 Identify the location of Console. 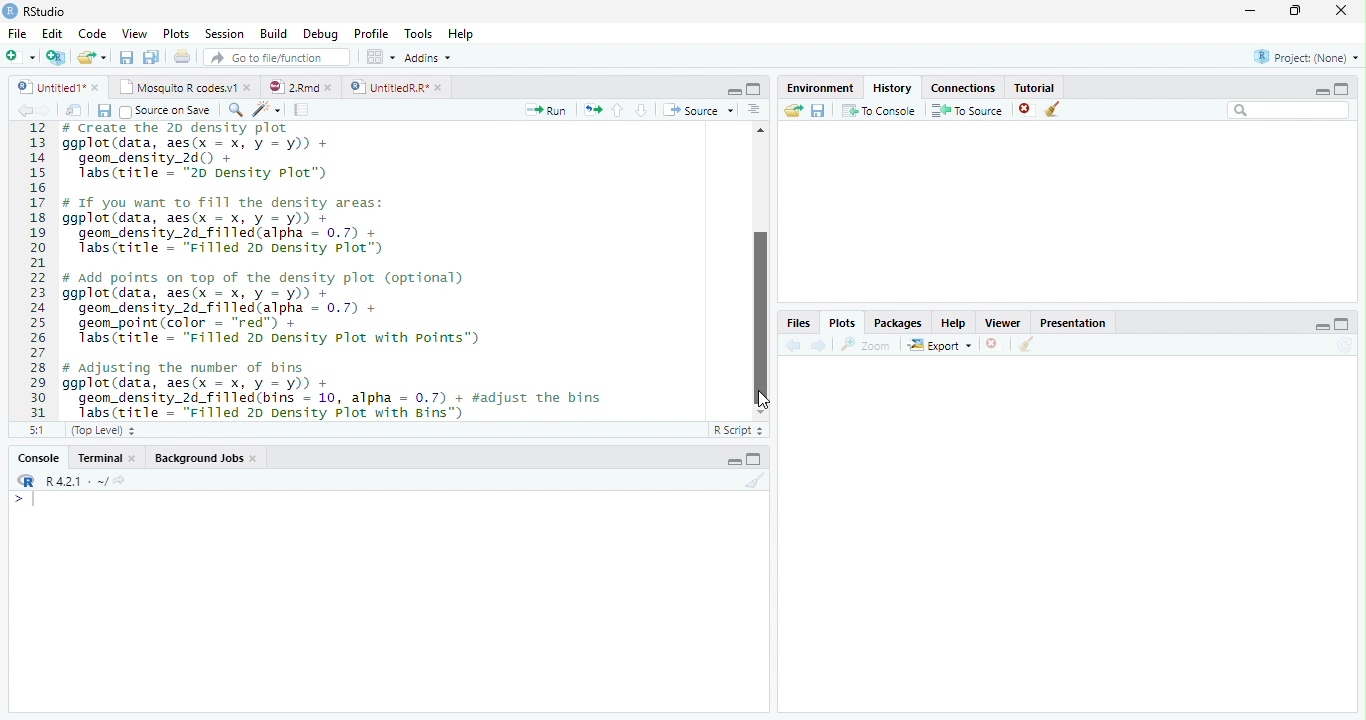
(38, 459).